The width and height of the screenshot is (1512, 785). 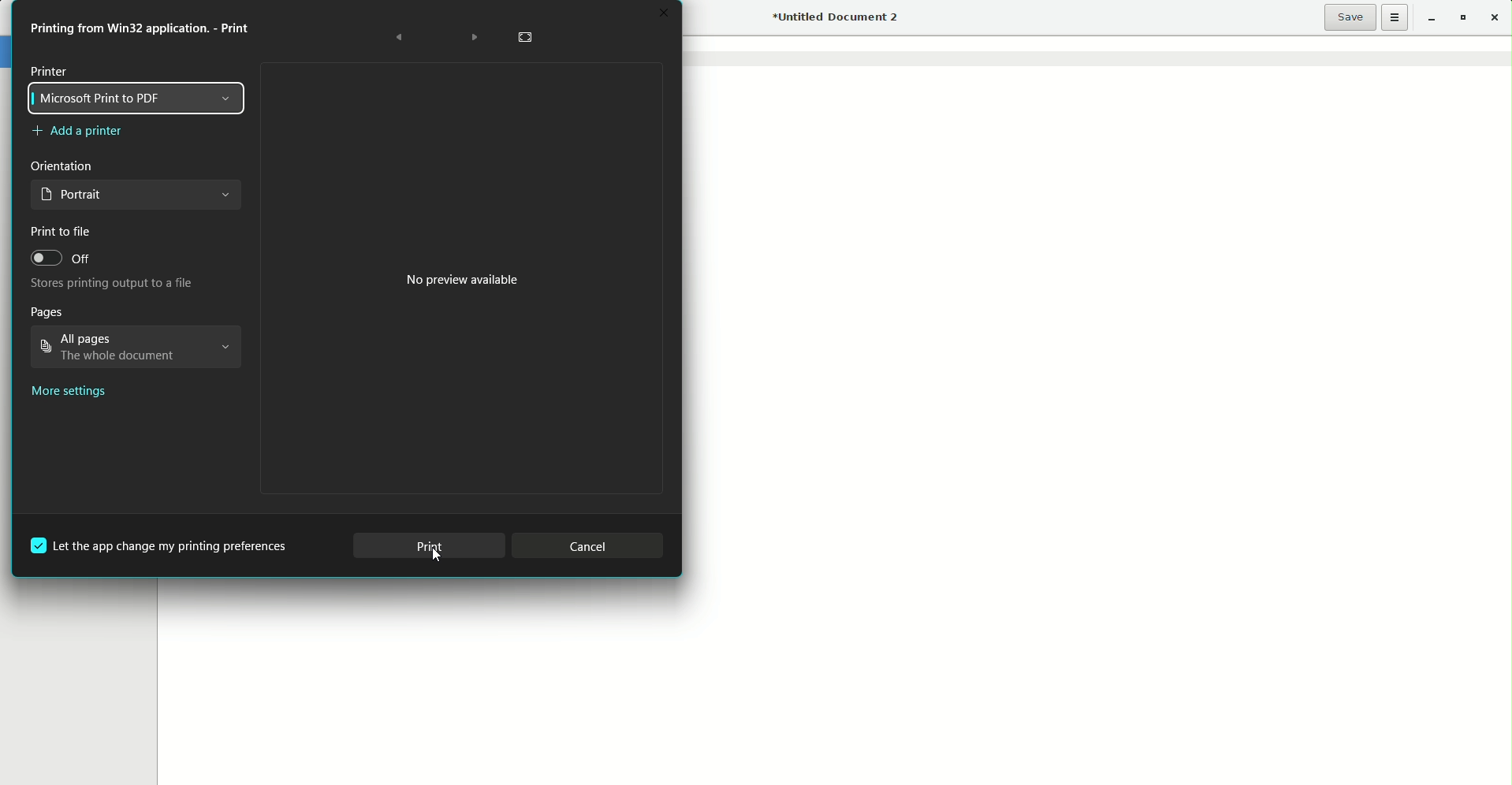 What do you see at coordinates (142, 91) in the screenshot?
I see `Printer - Microsoft Print to PDF` at bounding box center [142, 91].